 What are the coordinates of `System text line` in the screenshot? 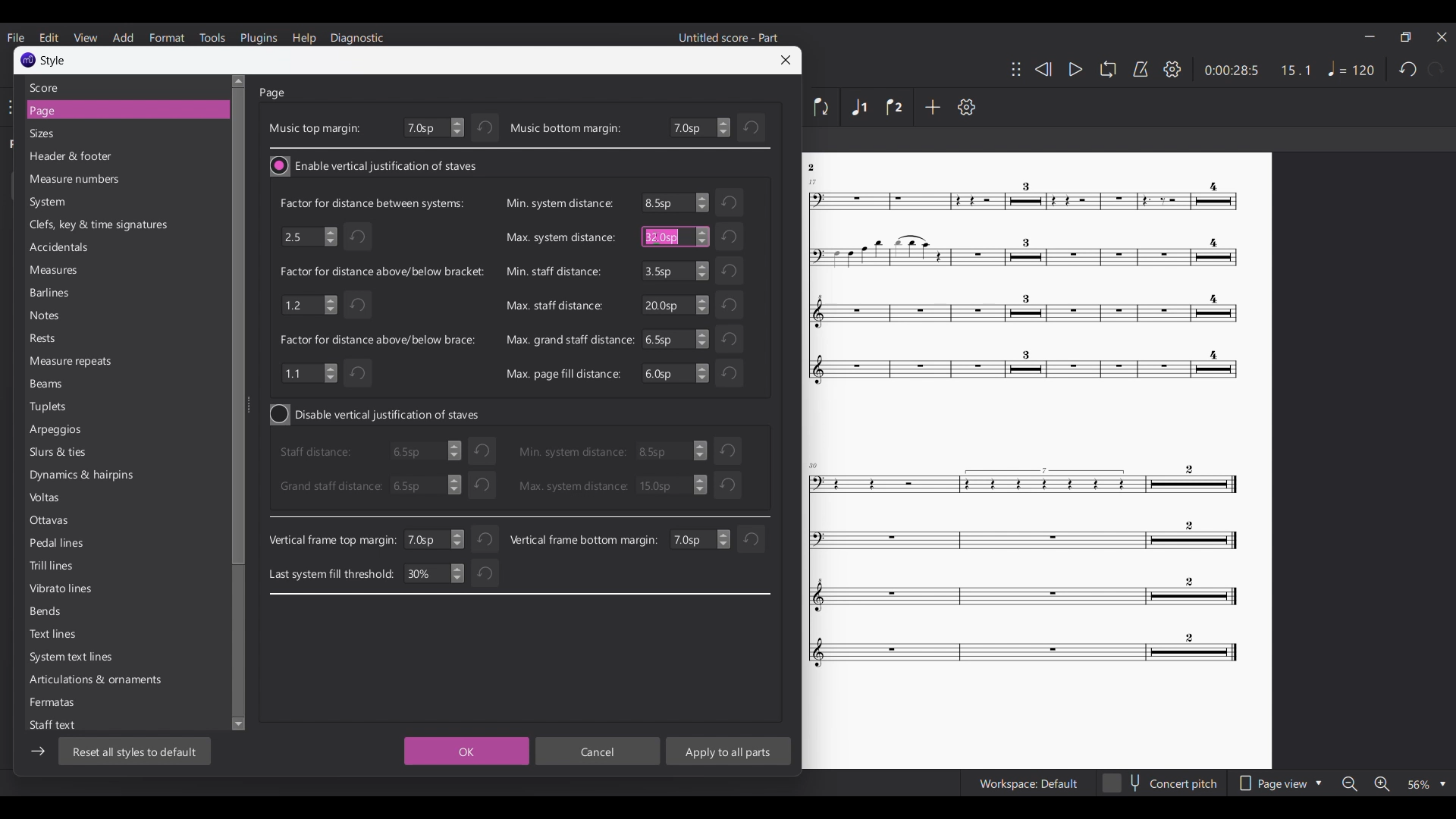 It's located at (76, 659).